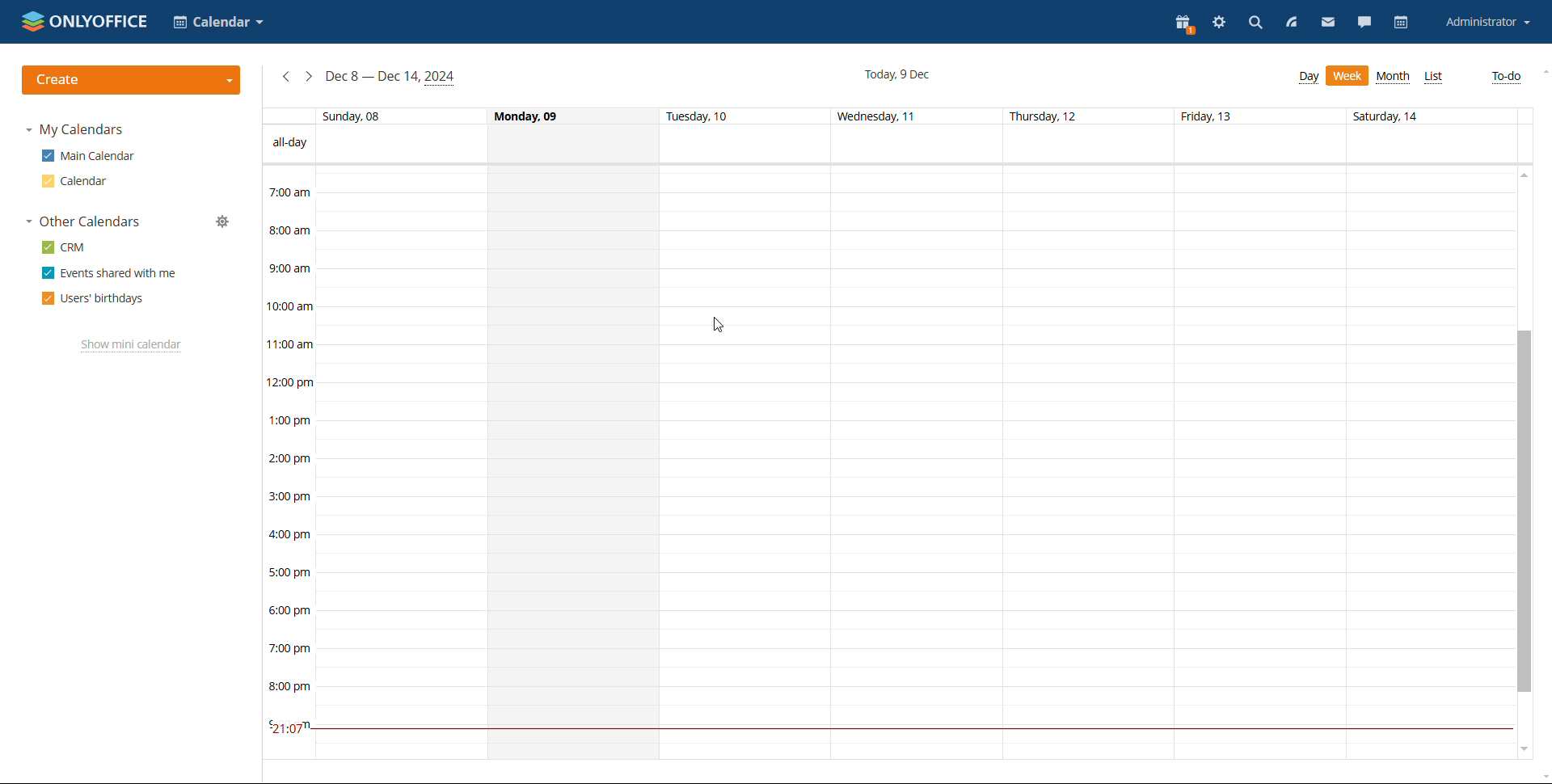 Image resolution: width=1552 pixels, height=784 pixels. I want to click on mail, so click(1327, 23).